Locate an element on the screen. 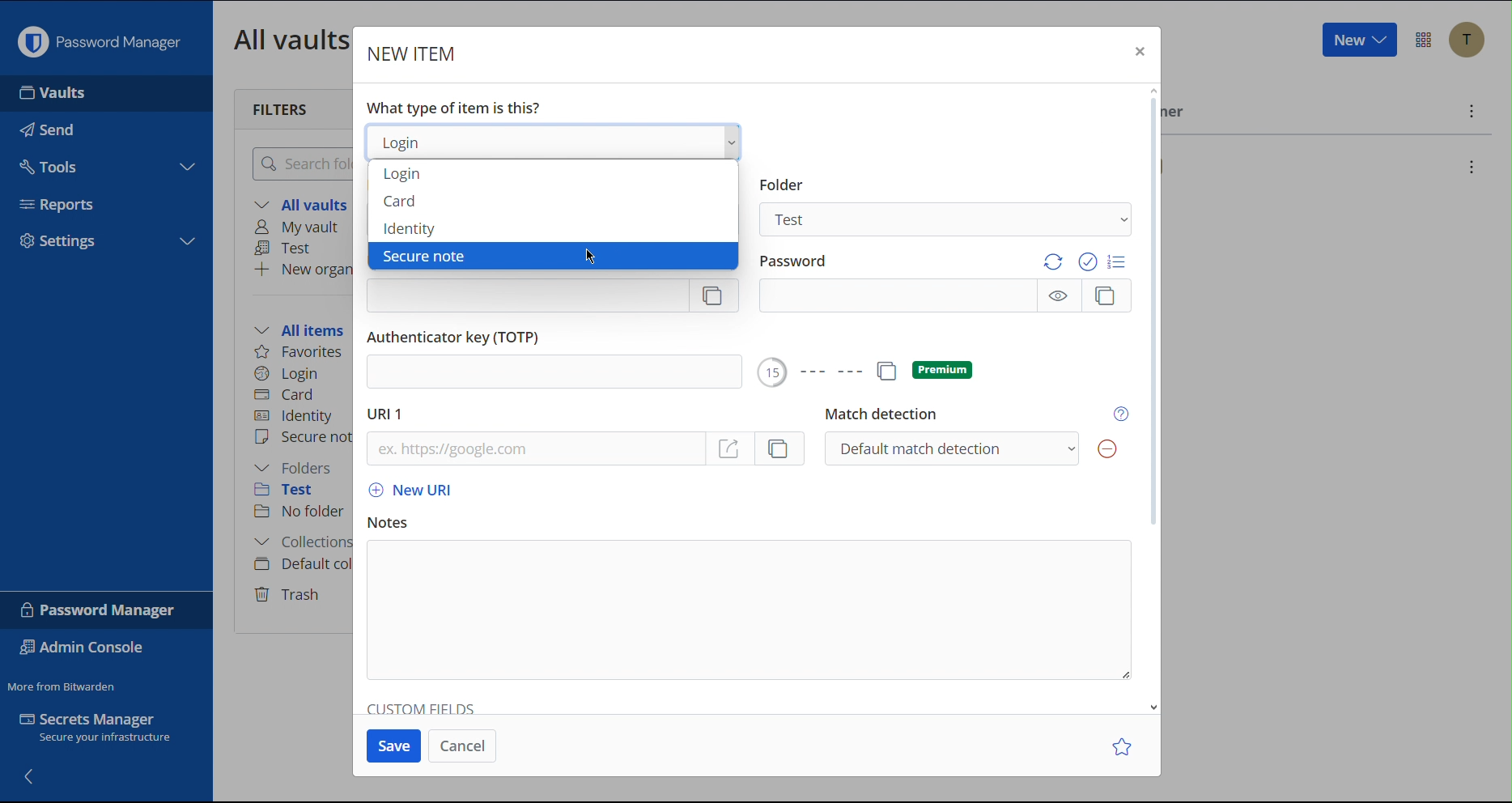  My vault is located at coordinates (302, 228).